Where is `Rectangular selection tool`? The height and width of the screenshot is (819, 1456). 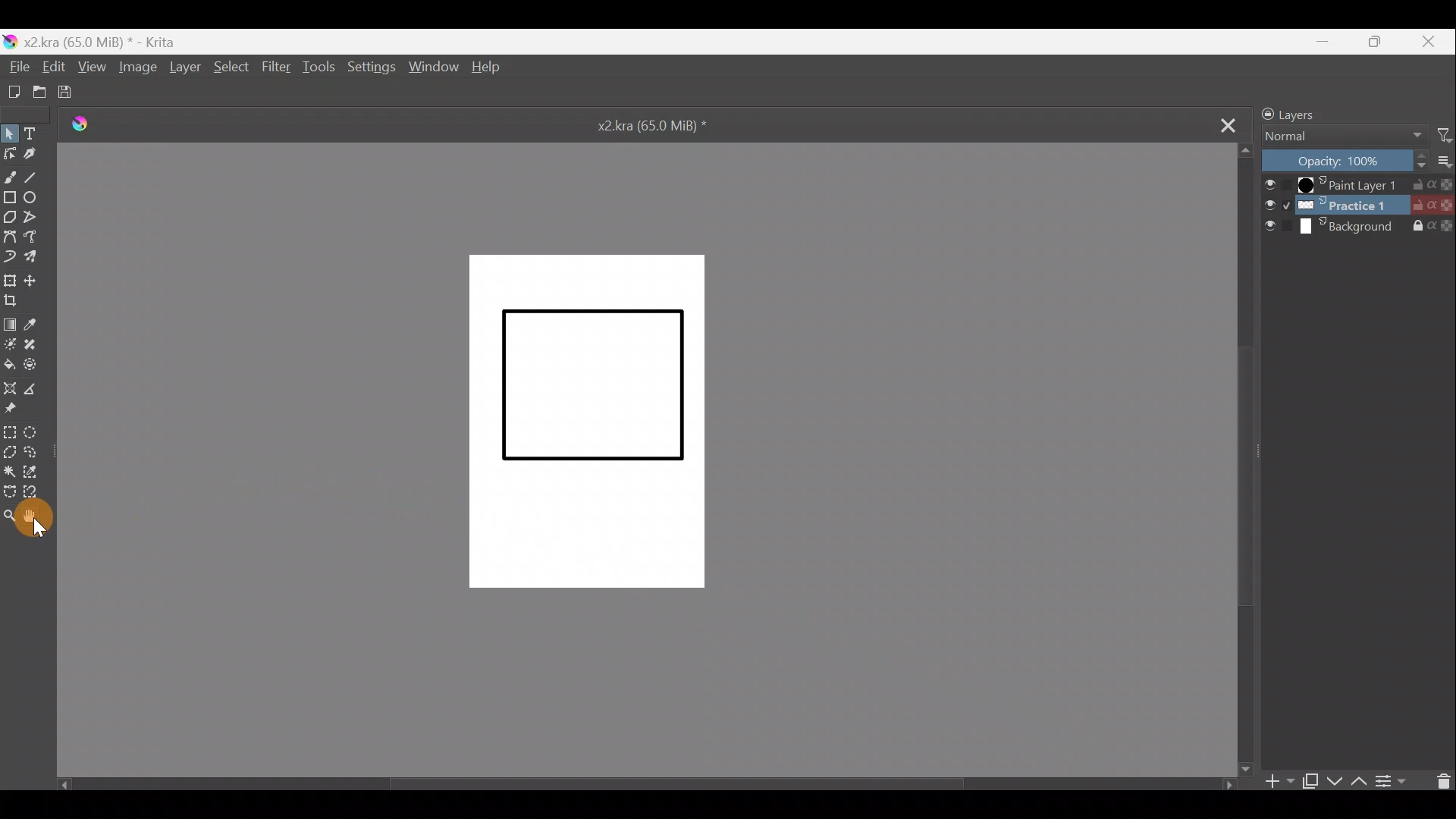 Rectangular selection tool is located at coordinates (11, 433).